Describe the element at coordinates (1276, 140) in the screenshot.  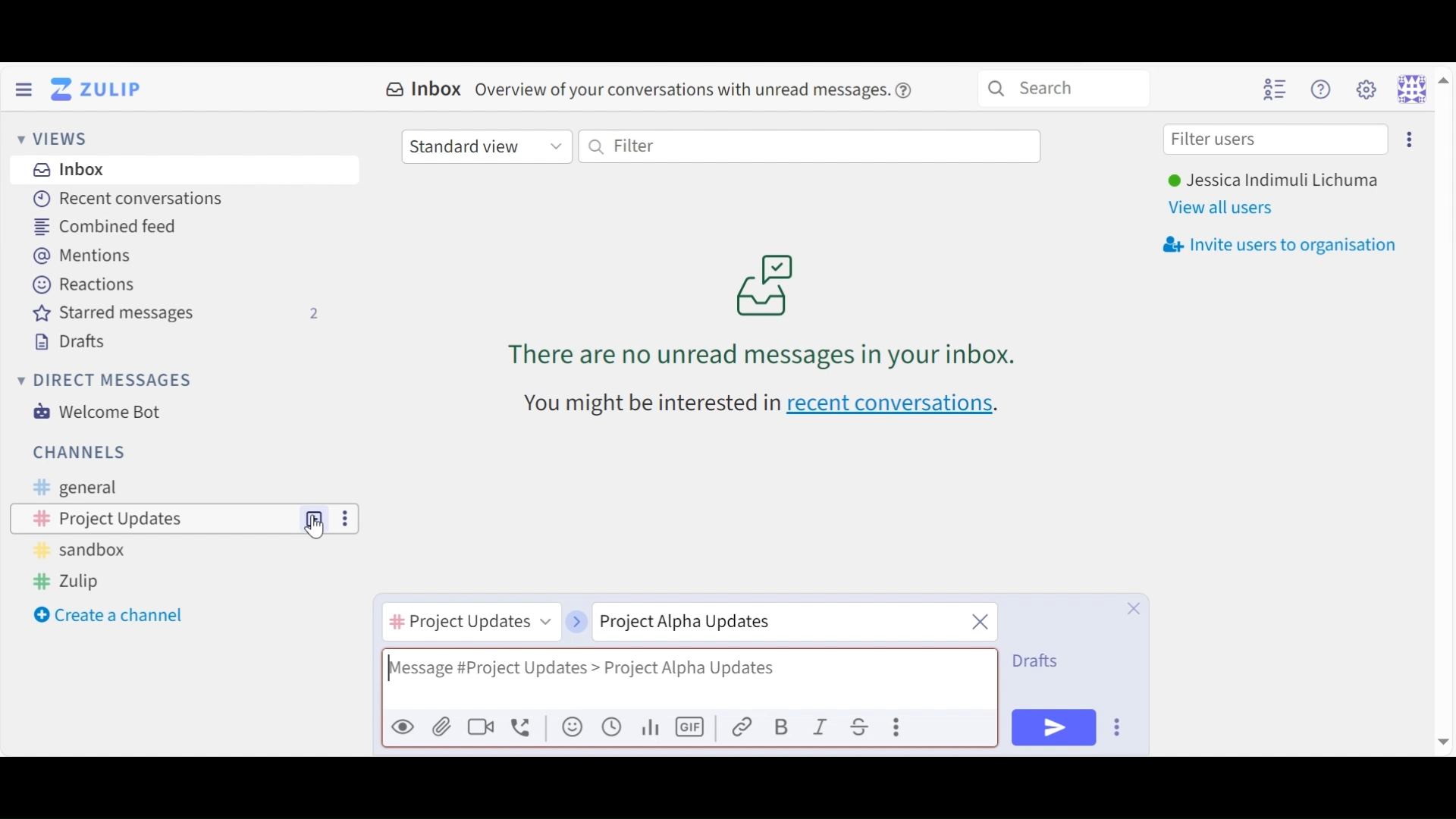
I see `Filter users` at that location.